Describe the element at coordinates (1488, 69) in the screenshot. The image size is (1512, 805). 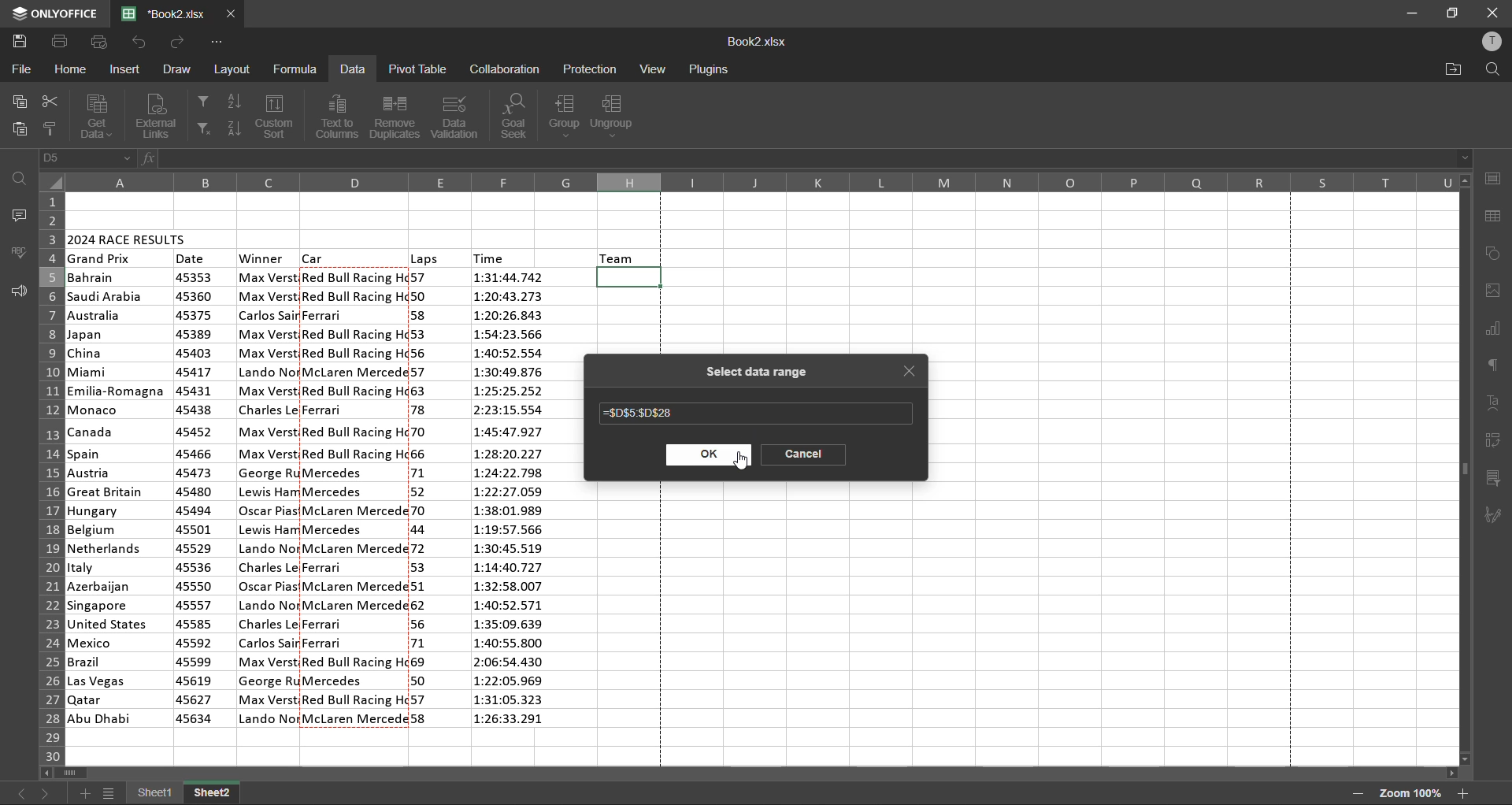
I see `find` at that location.